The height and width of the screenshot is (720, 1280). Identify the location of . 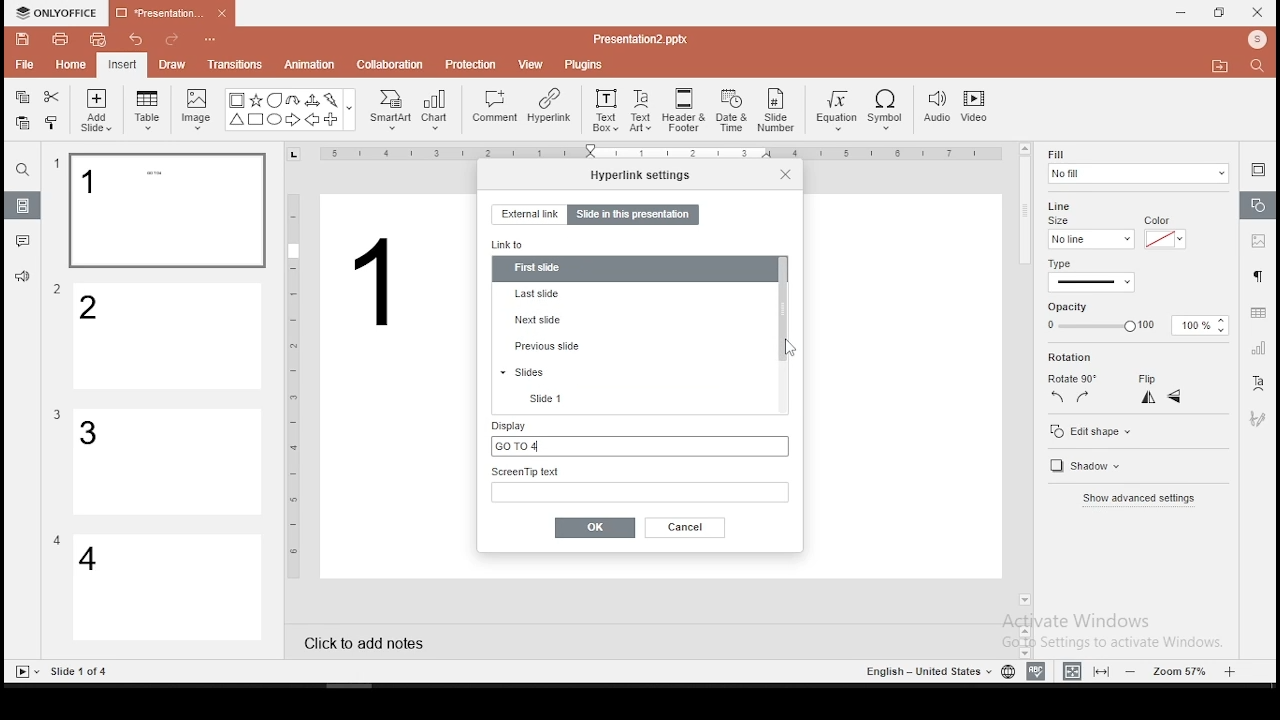
(665, 155).